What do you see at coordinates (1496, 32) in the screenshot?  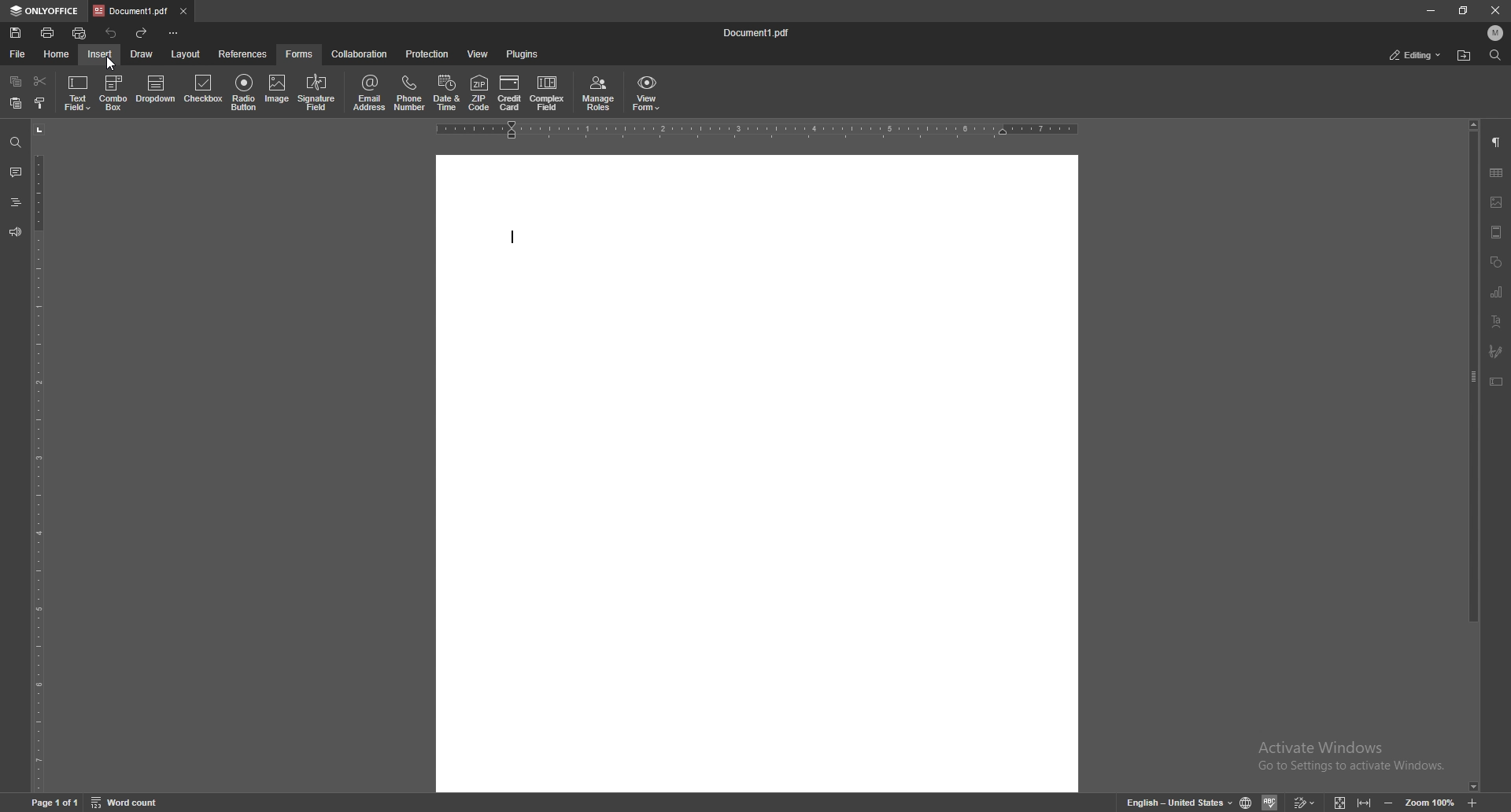 I see `profile` at bounding box center [1496, 32].